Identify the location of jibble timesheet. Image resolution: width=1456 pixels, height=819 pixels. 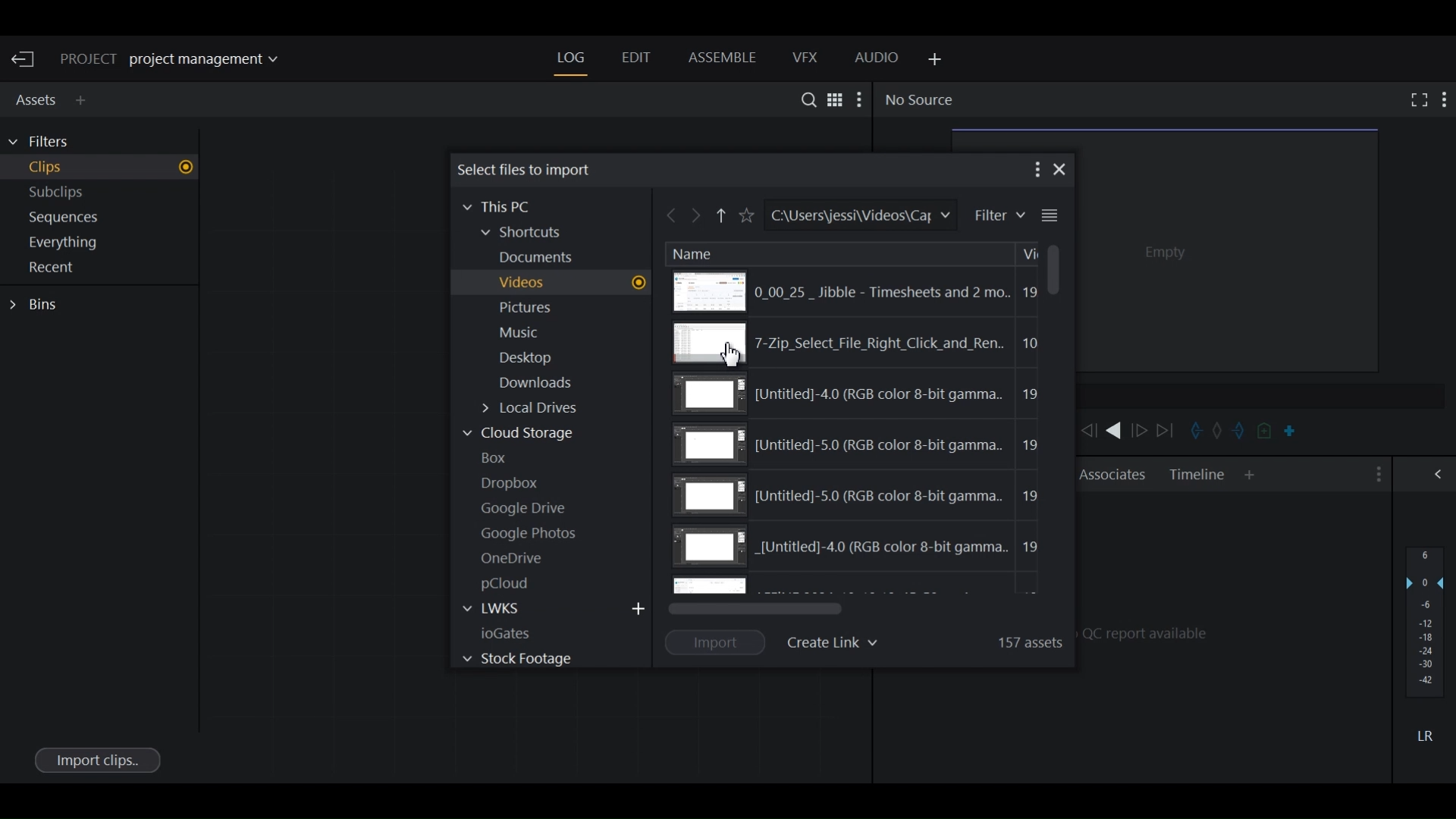
(850, 291).